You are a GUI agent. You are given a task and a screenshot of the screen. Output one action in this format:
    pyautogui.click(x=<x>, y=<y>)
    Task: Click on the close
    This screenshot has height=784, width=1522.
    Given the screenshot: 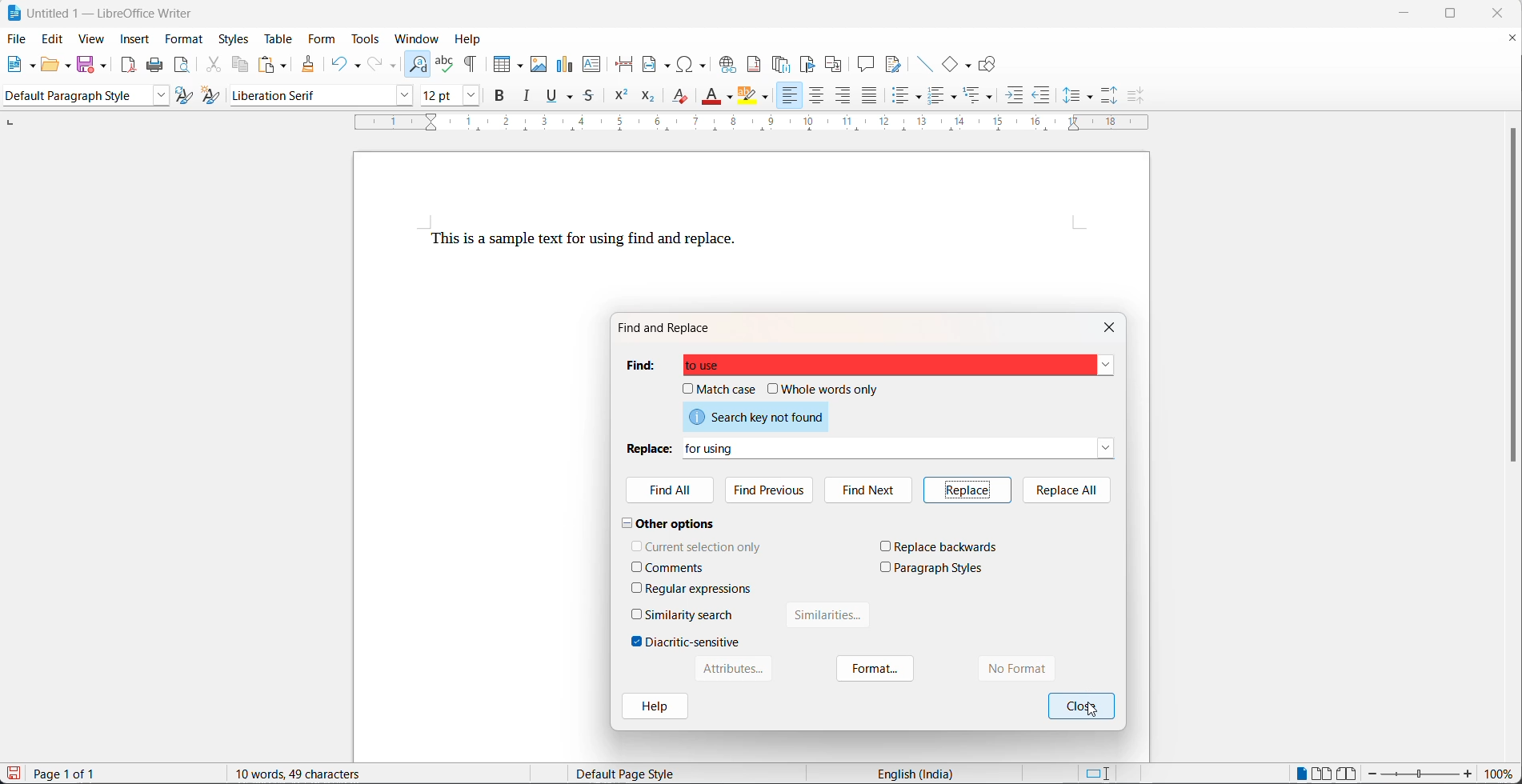 What is the action you would take?
    pyautogui.click(x=1113, y=326)
    